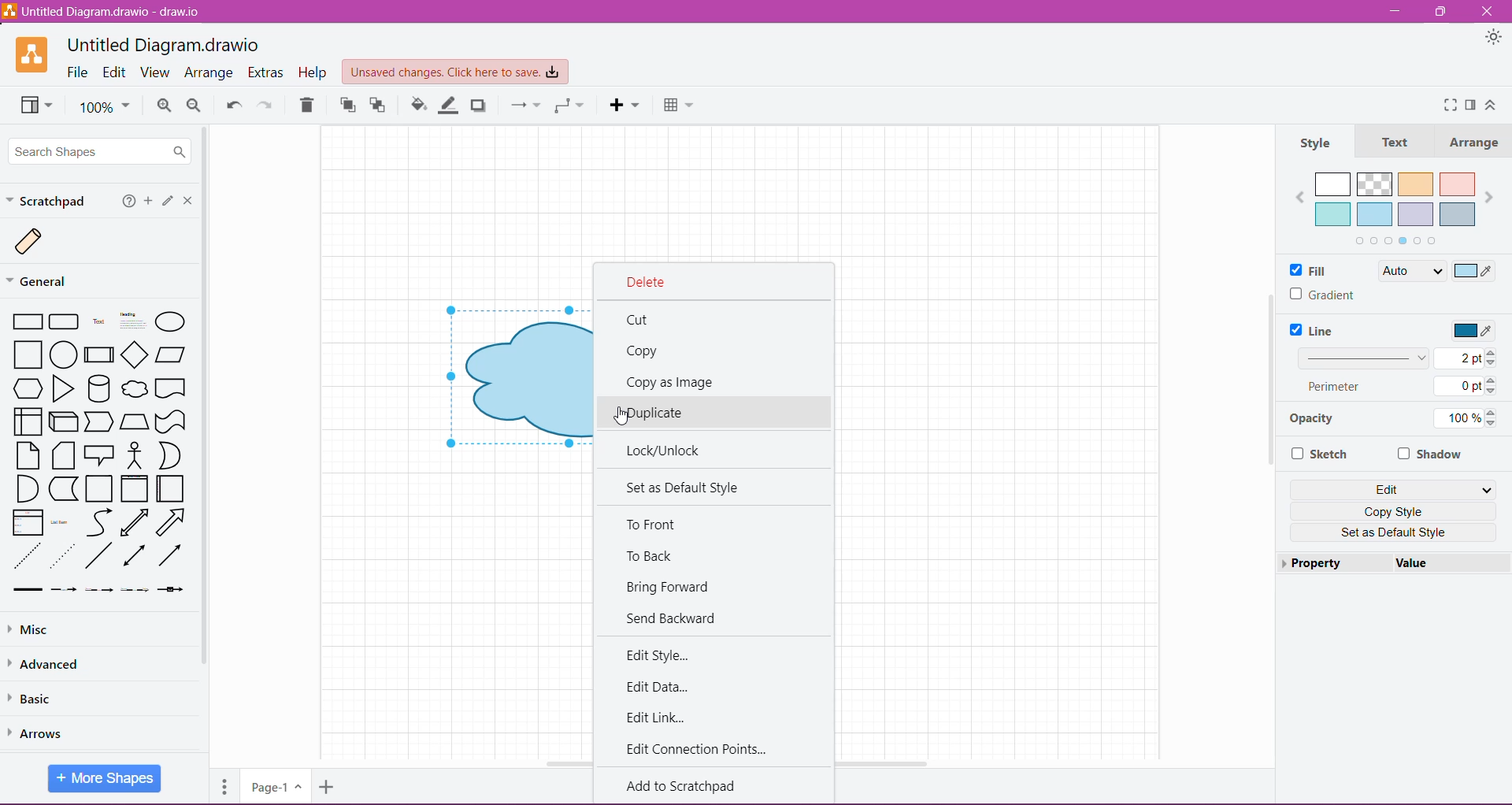 Image resolution: width=1512 pixels, height=805 pixels. What do you see at coordinates (116, 72) in the screenshot?
I see `Edit` at bounding box center [116, 72].